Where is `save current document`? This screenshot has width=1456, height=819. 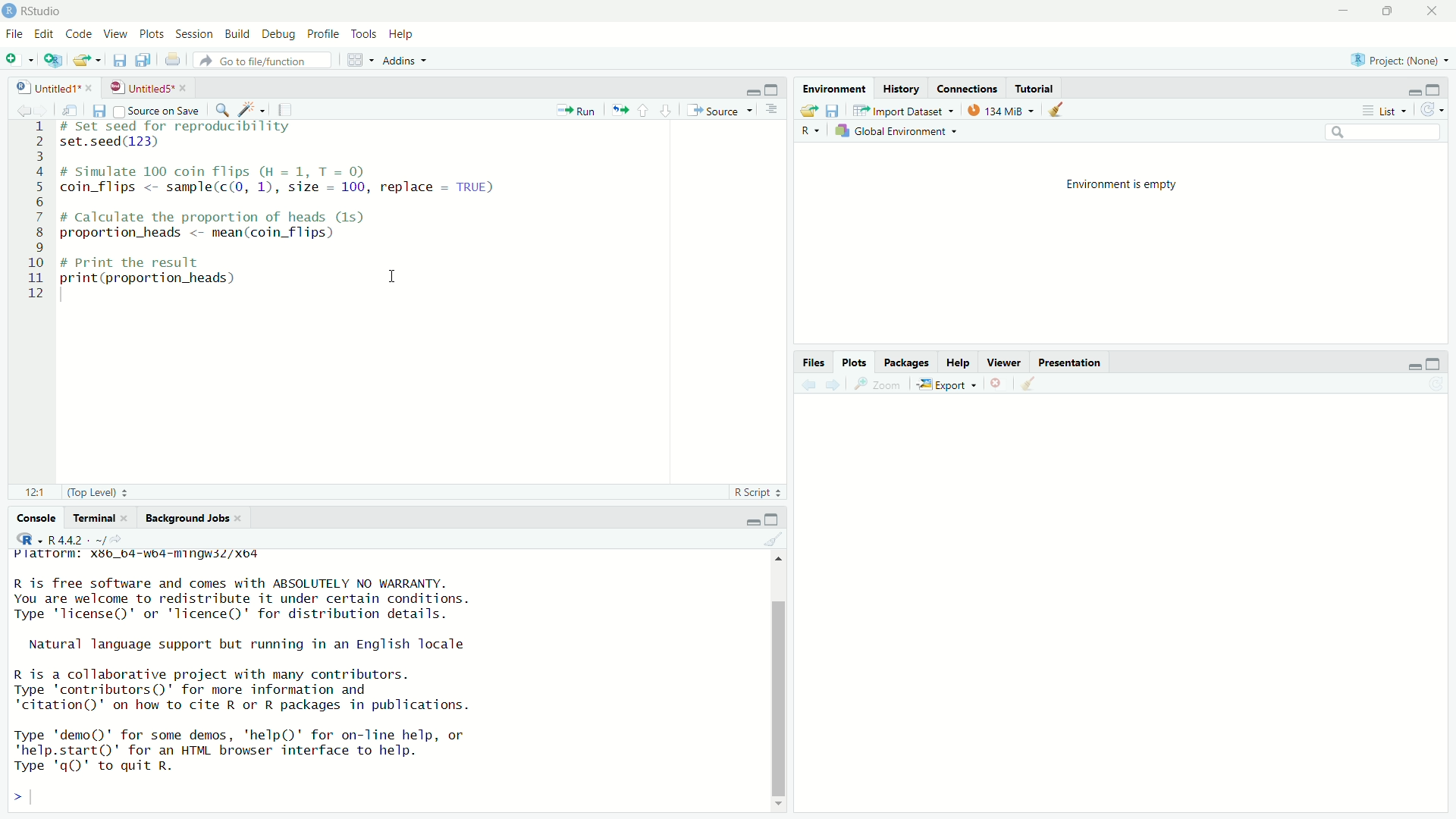 save current document is located at coordinates (98, 110).